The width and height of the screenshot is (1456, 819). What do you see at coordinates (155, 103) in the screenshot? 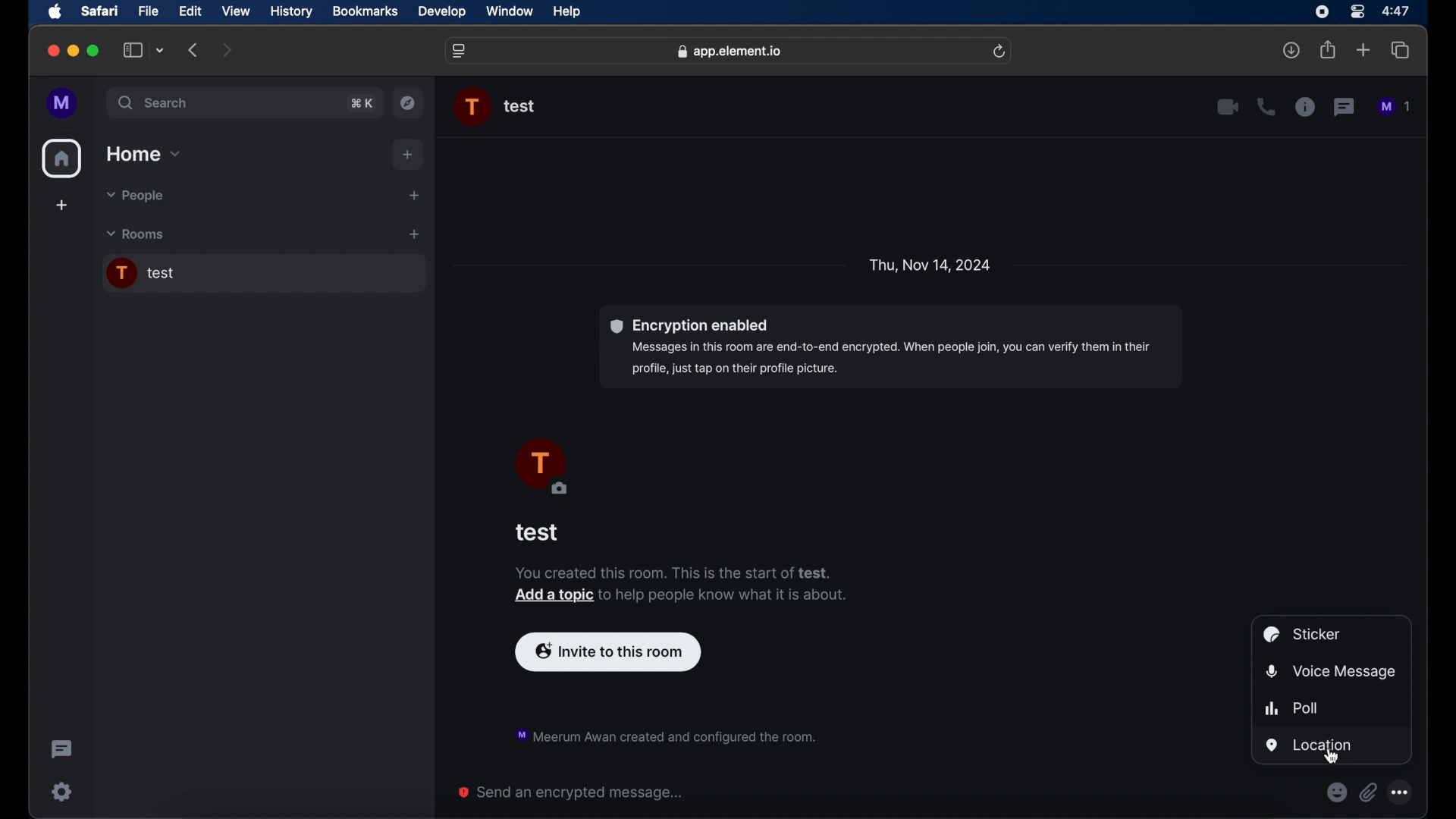
I see `search` at bounding box center [155, 103].